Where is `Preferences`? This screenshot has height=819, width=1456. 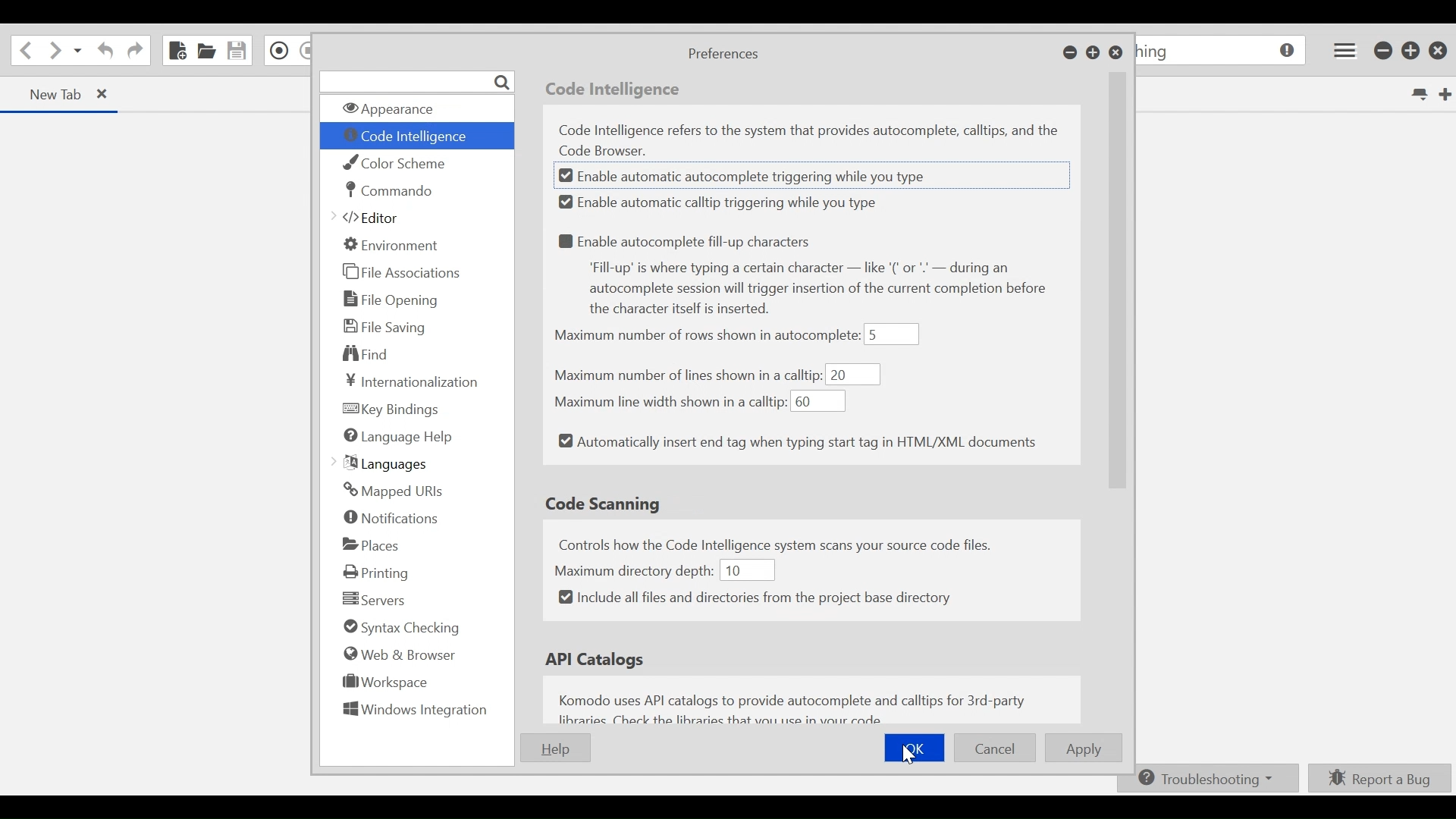 Preferences is located at coordinates (722, 55).